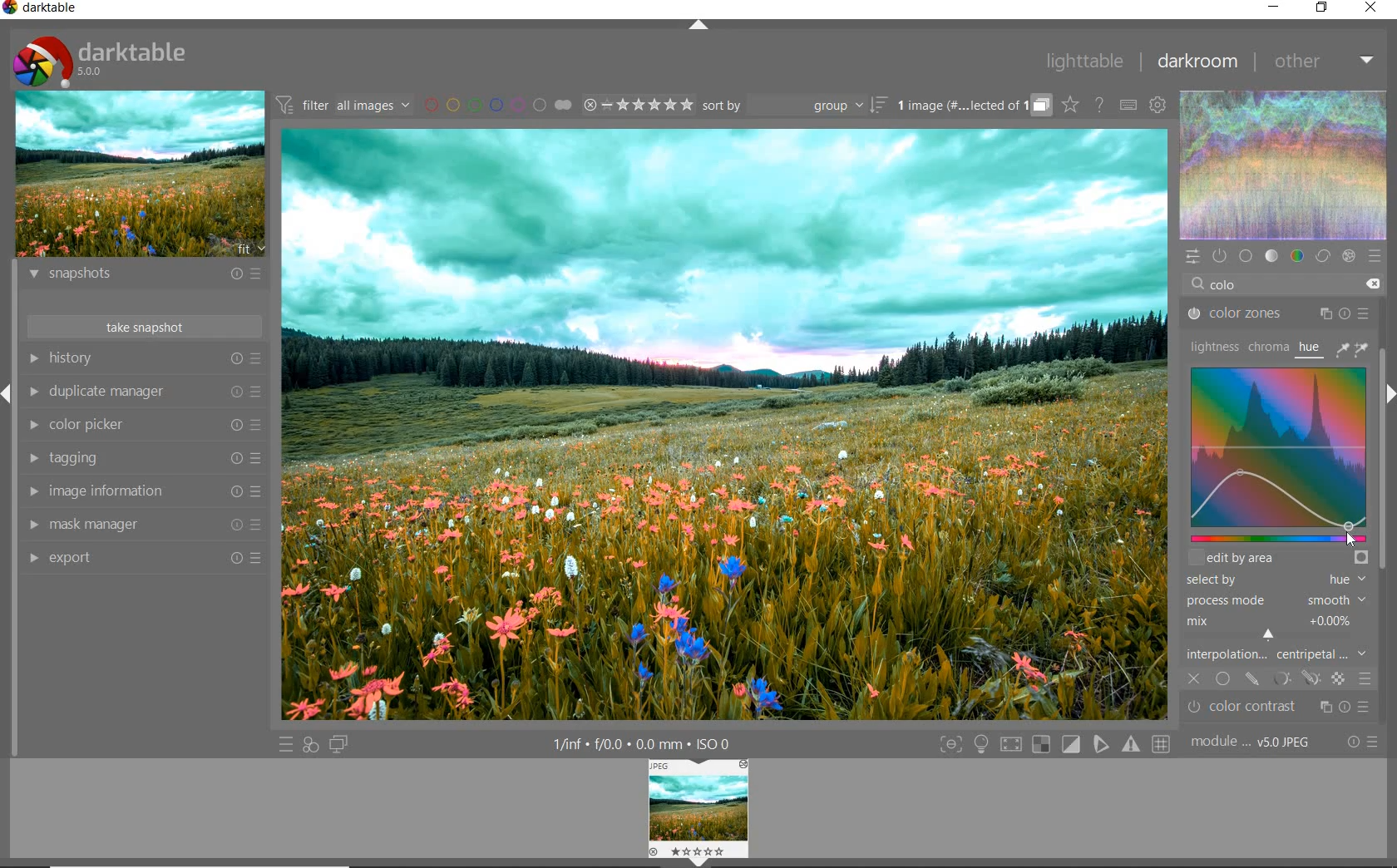 The width and height of the screenshot is (1397, 868). What do you see at coordinates (640, 742) in the screenshot?
I see `1/inf*f/0.0 mm*ISO 0` at bounding box center [640, 742].